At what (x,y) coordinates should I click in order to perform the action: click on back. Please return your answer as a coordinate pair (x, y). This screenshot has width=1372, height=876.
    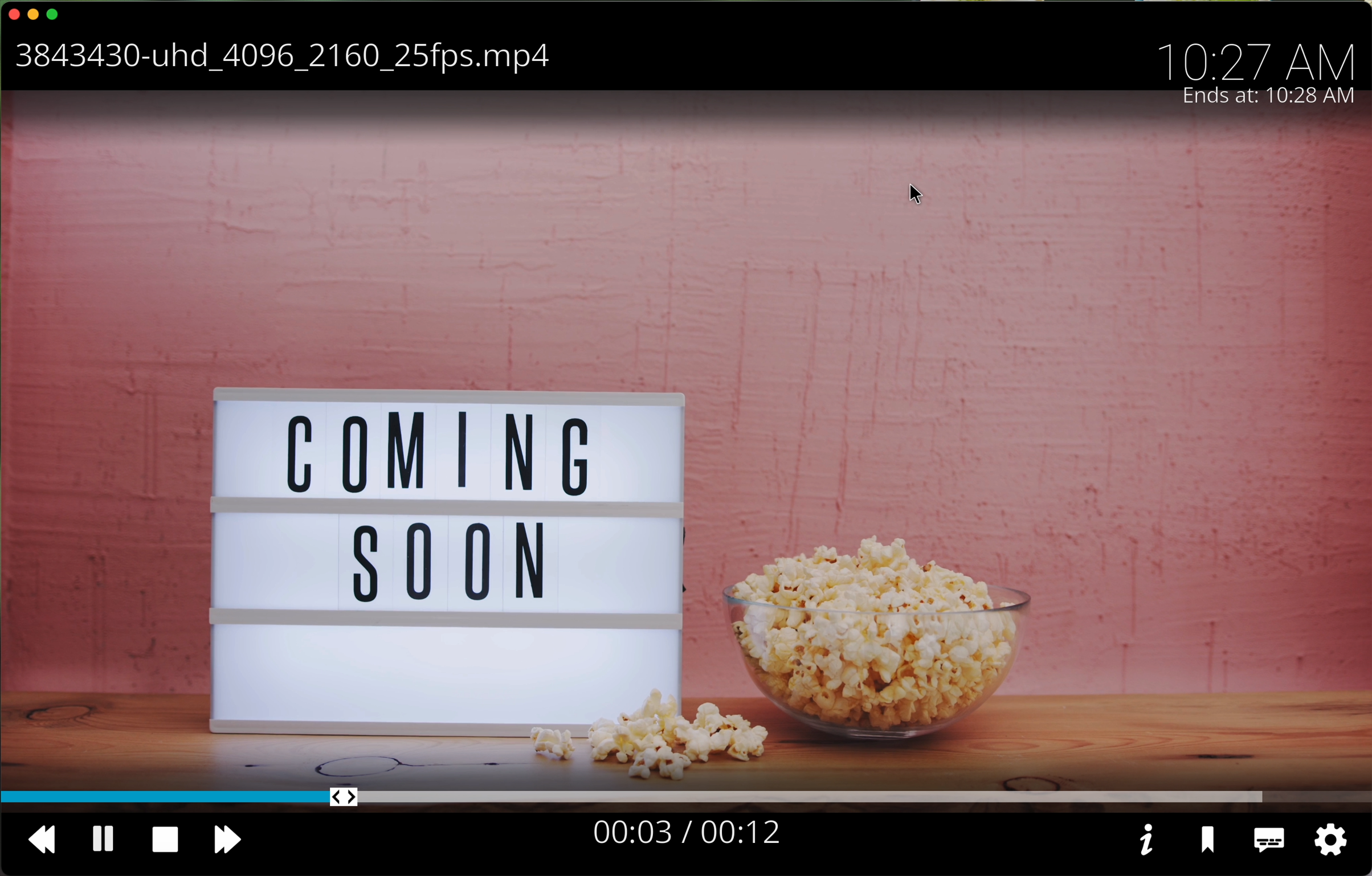
    Looking at the image, I should click on (46, 837).